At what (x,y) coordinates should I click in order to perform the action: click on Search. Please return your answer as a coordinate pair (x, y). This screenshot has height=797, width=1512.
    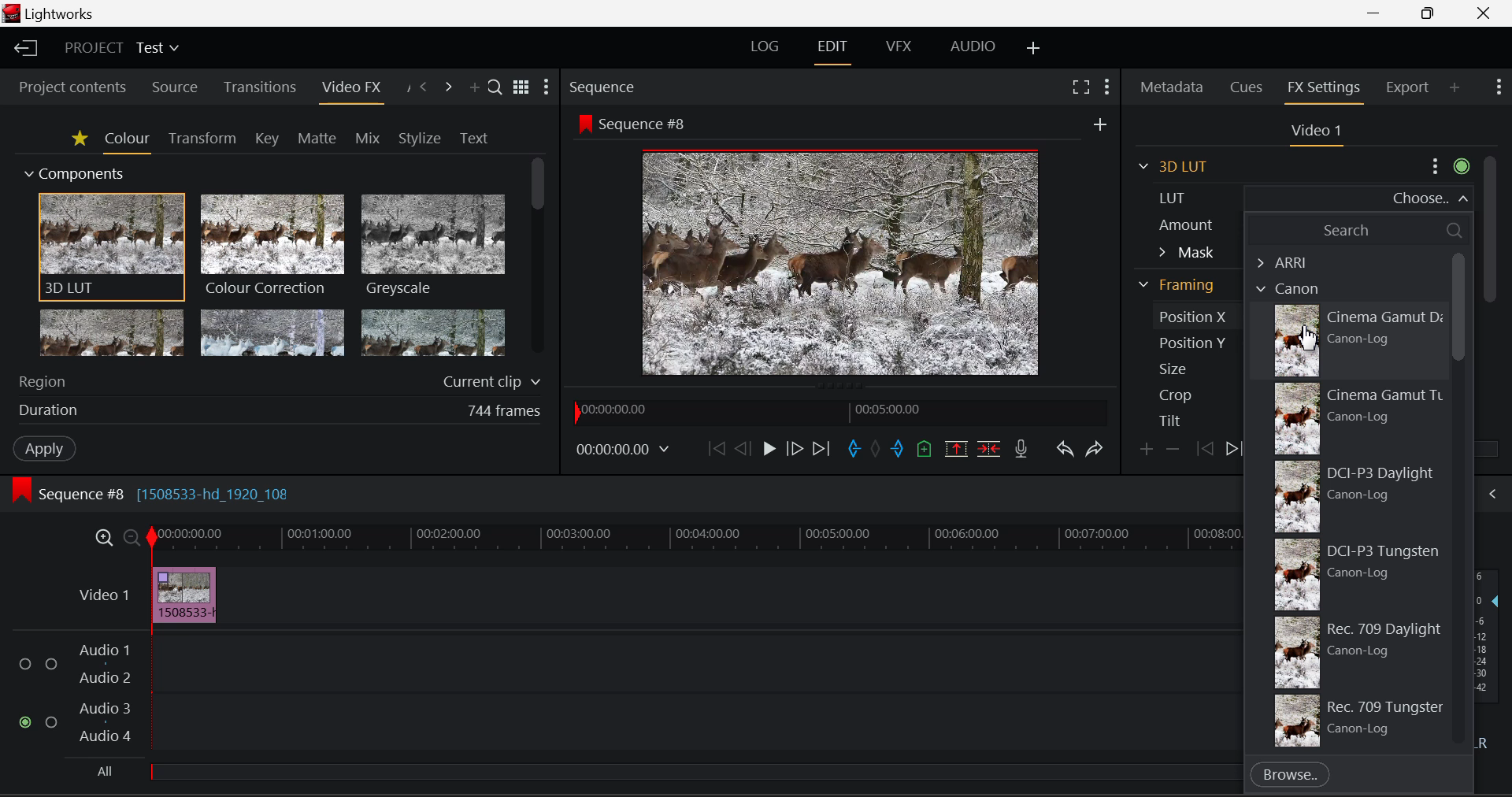
    Looking at the image, I should click on (1356, 229).